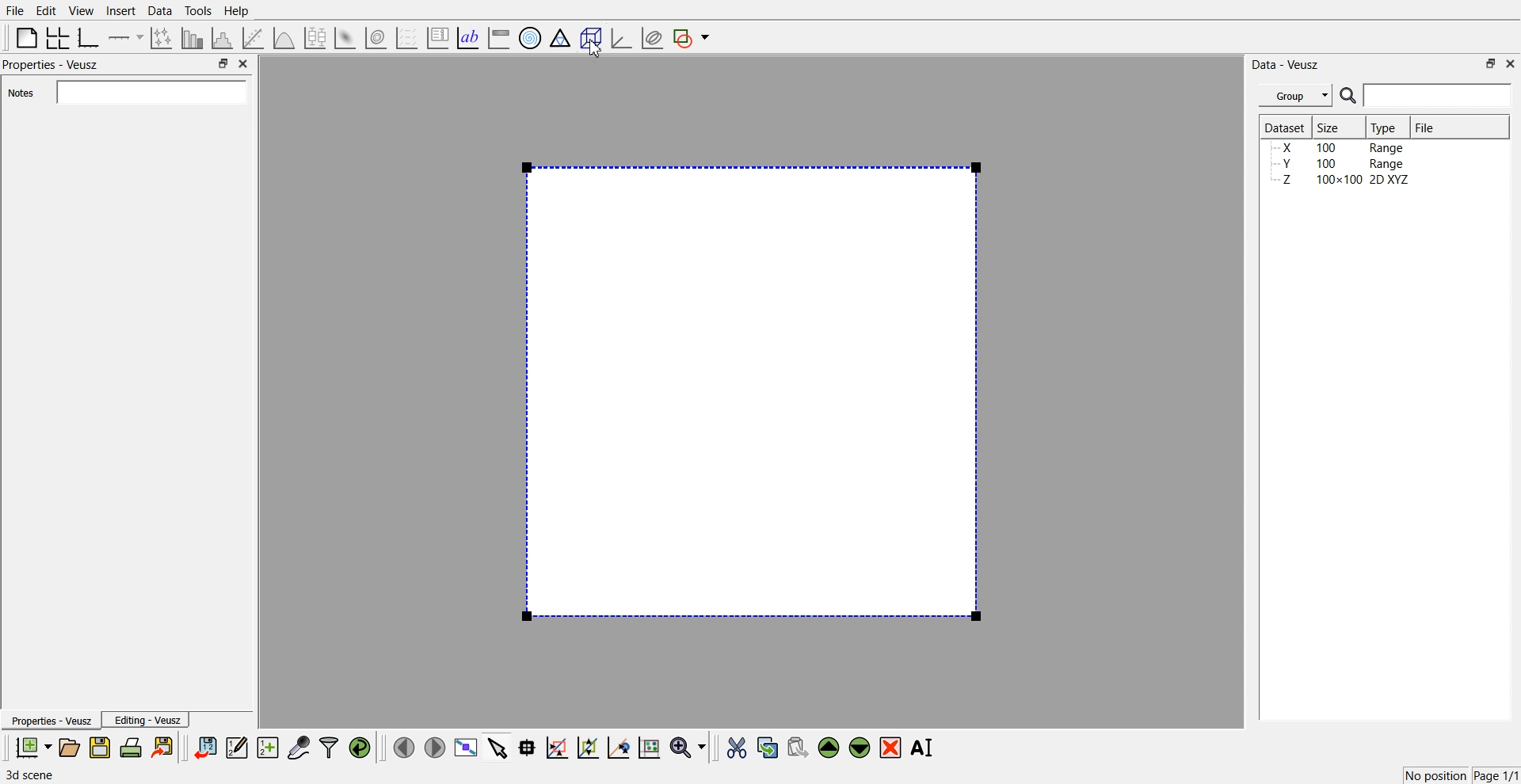  I want to click on Reload linked dataset, so click(360, 748).